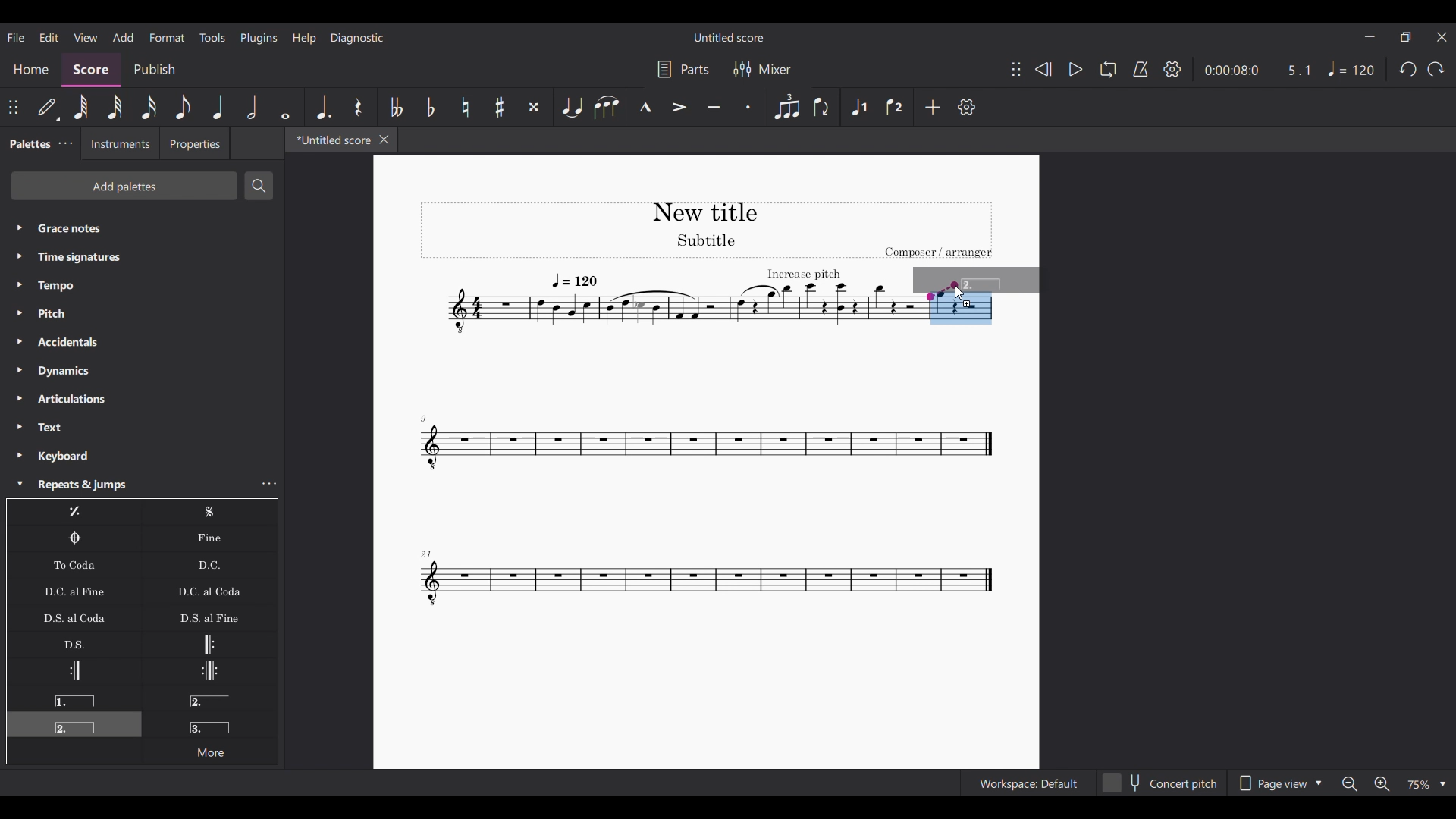  I want to click on Grace notes, so click(142, 228).